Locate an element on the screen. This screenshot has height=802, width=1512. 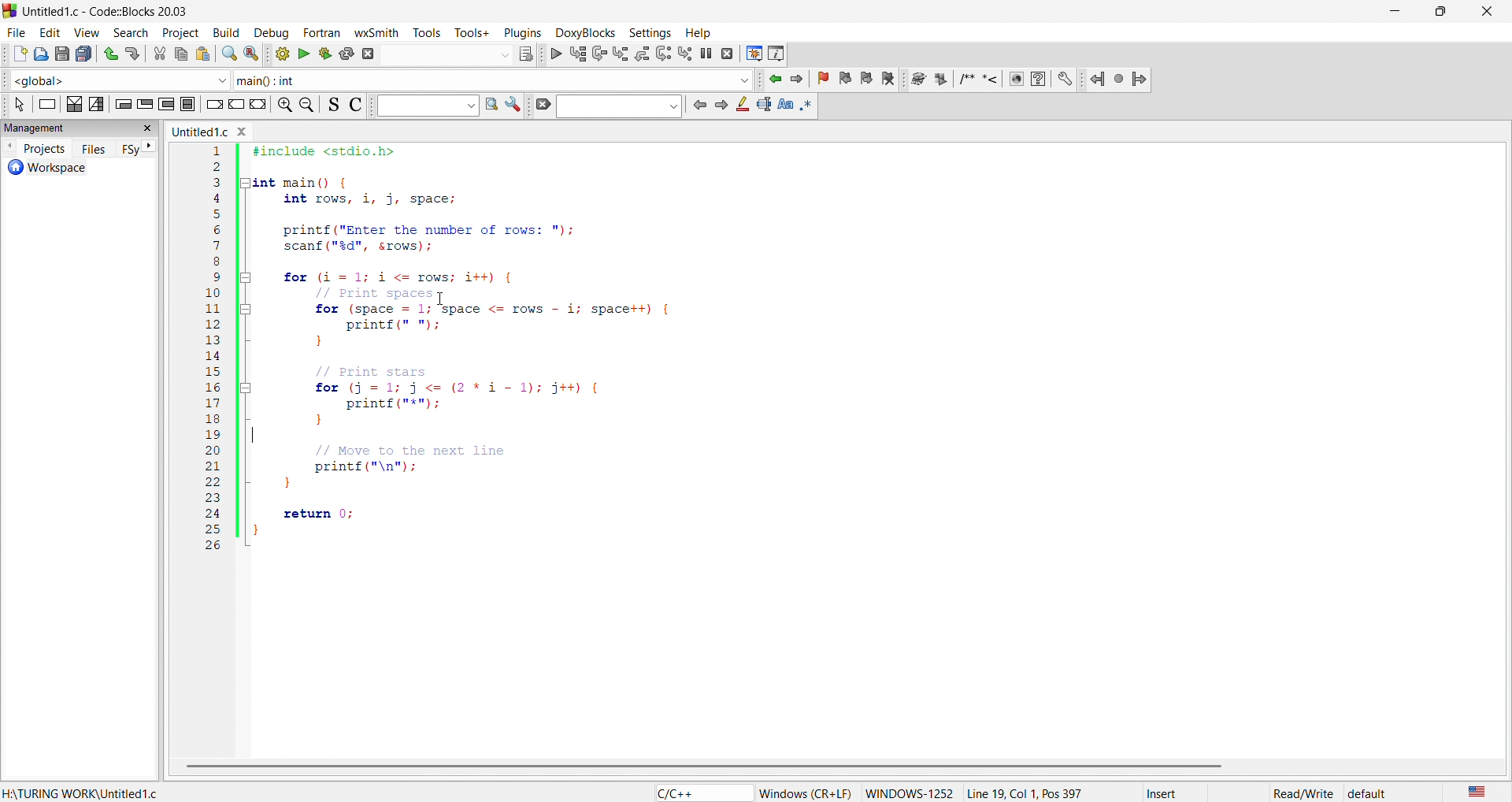
abort is located at coordinates (366, 53).